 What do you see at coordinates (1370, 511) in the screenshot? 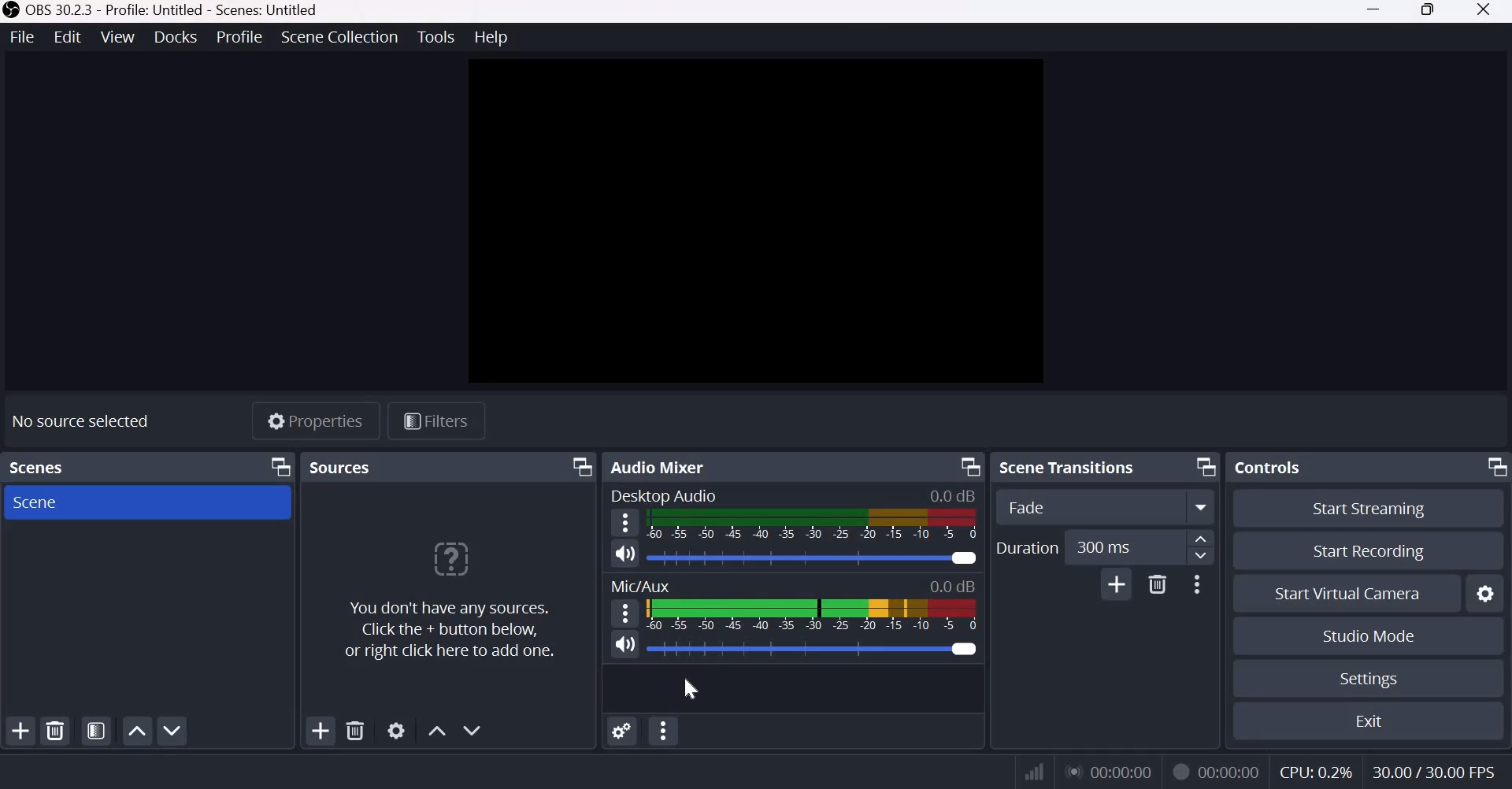
I see `Start streaming` at bounding box center [1370, 511].